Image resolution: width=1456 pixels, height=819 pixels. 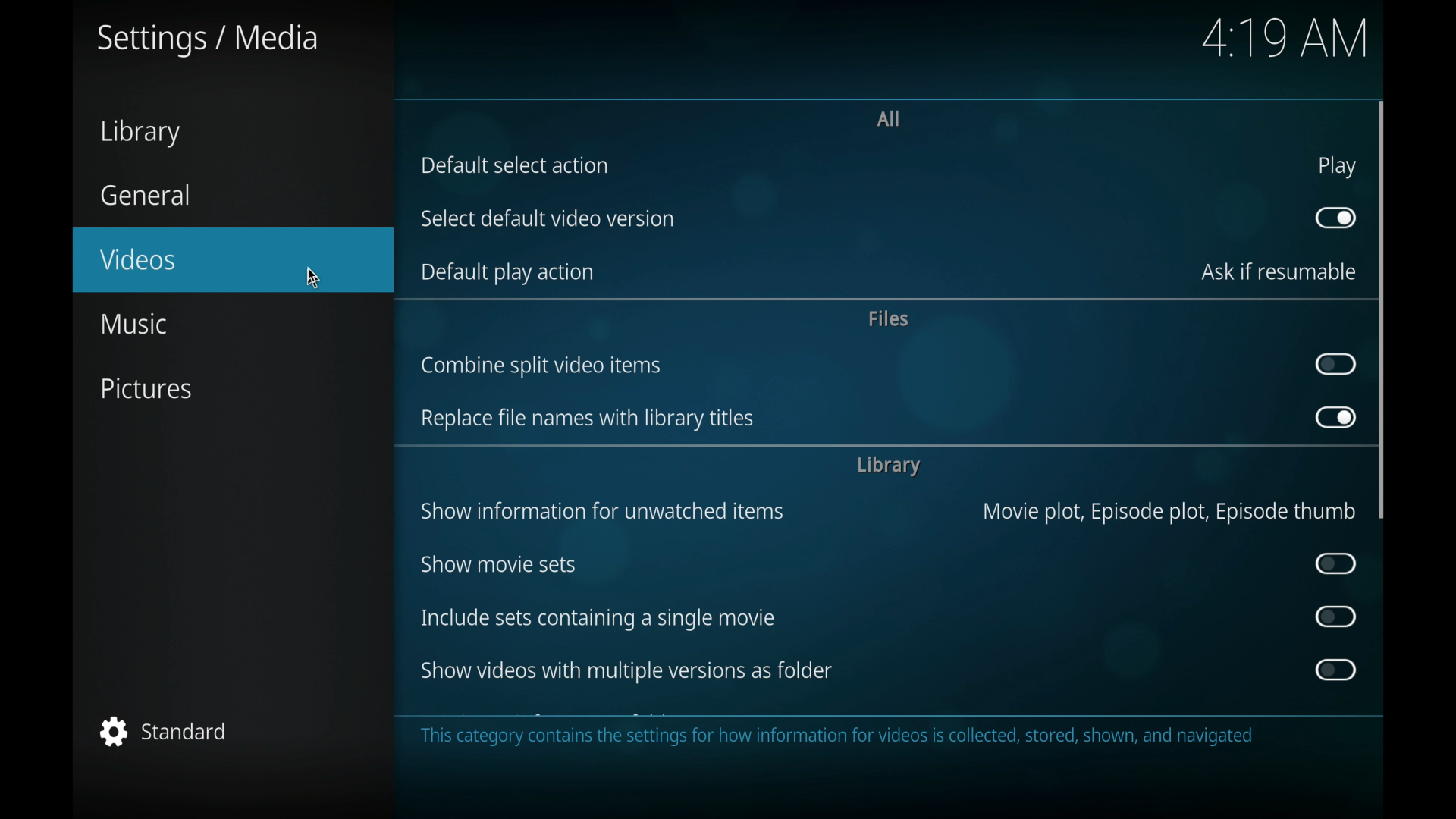 What do you see at coordinates (886, 466) in the screenshot?
I see `library` at bounding box center [886, 466].